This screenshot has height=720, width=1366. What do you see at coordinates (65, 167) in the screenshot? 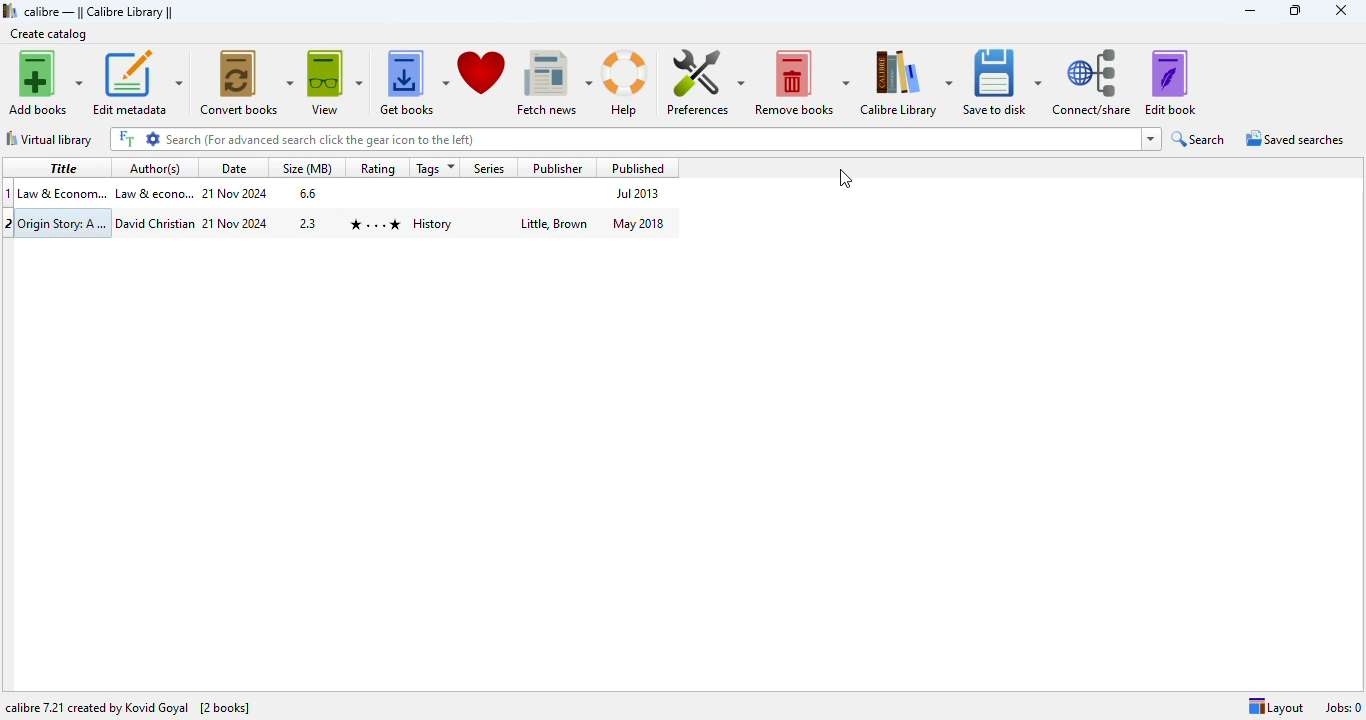
I see `title` at bounding box center [65, 167].